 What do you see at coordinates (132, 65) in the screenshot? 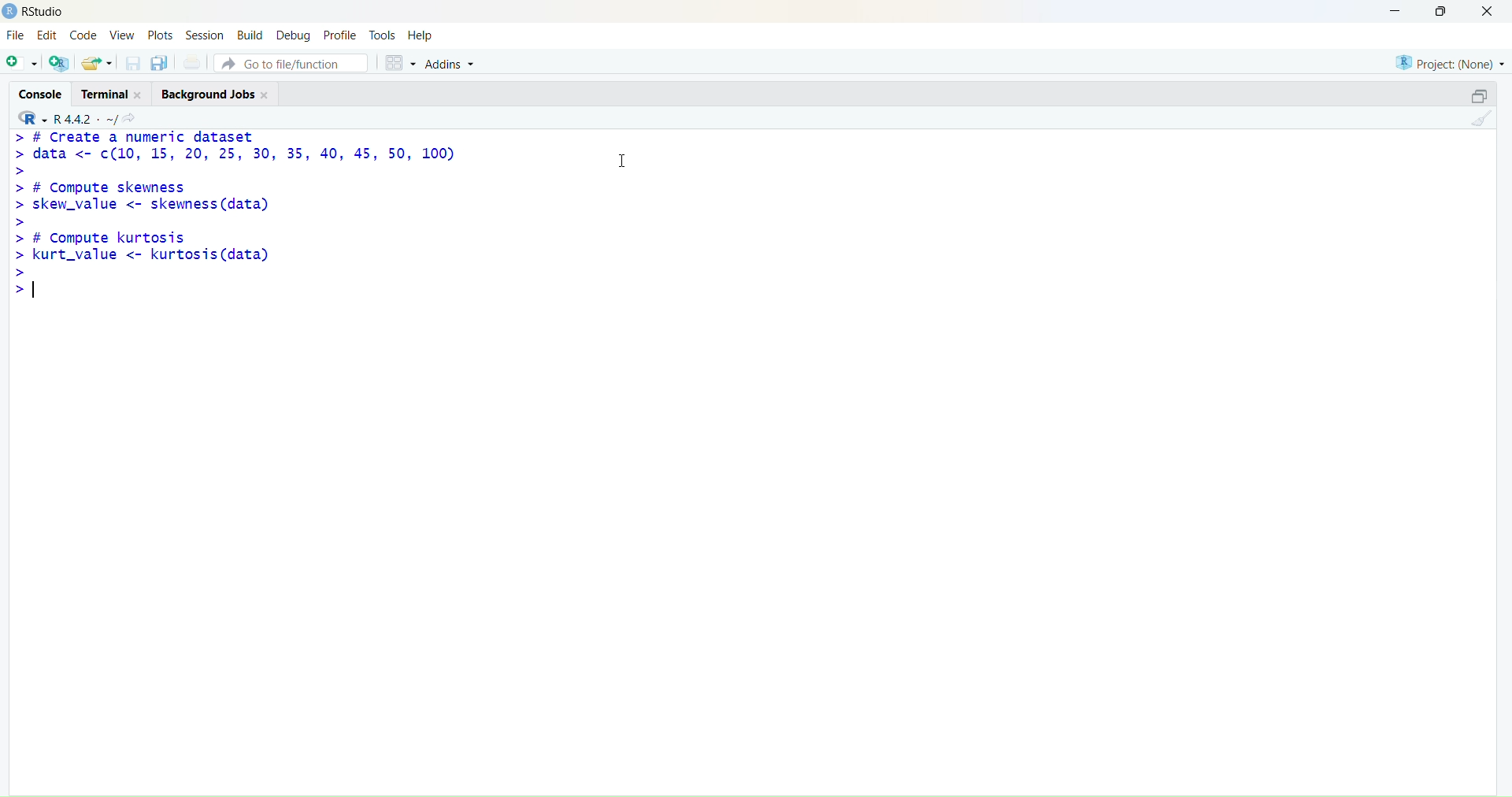
I see `Save current document (Ctrl + S)` at bounding box center [132, 65].